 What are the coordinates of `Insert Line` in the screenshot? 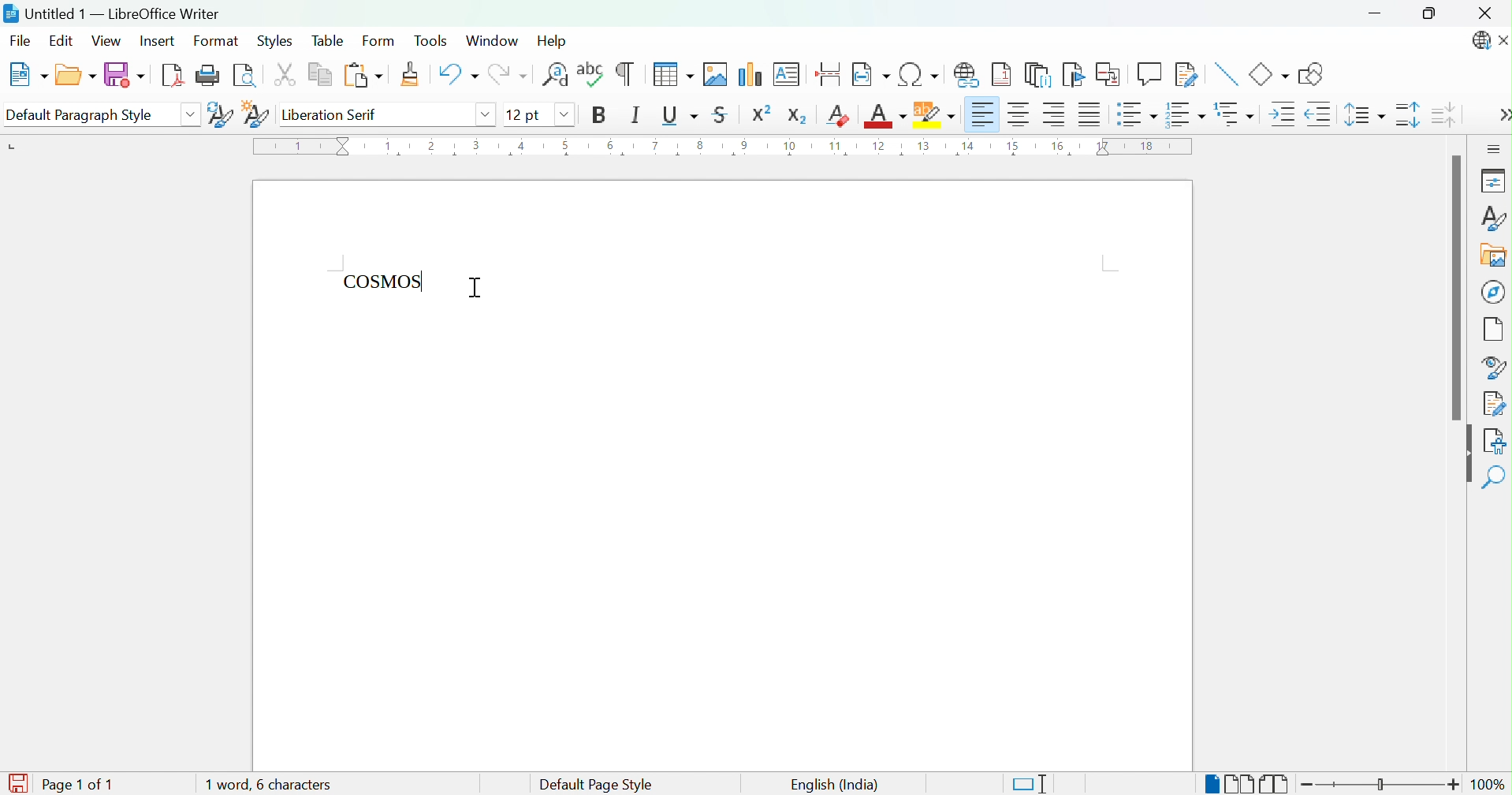 It's located at (1224, 72).